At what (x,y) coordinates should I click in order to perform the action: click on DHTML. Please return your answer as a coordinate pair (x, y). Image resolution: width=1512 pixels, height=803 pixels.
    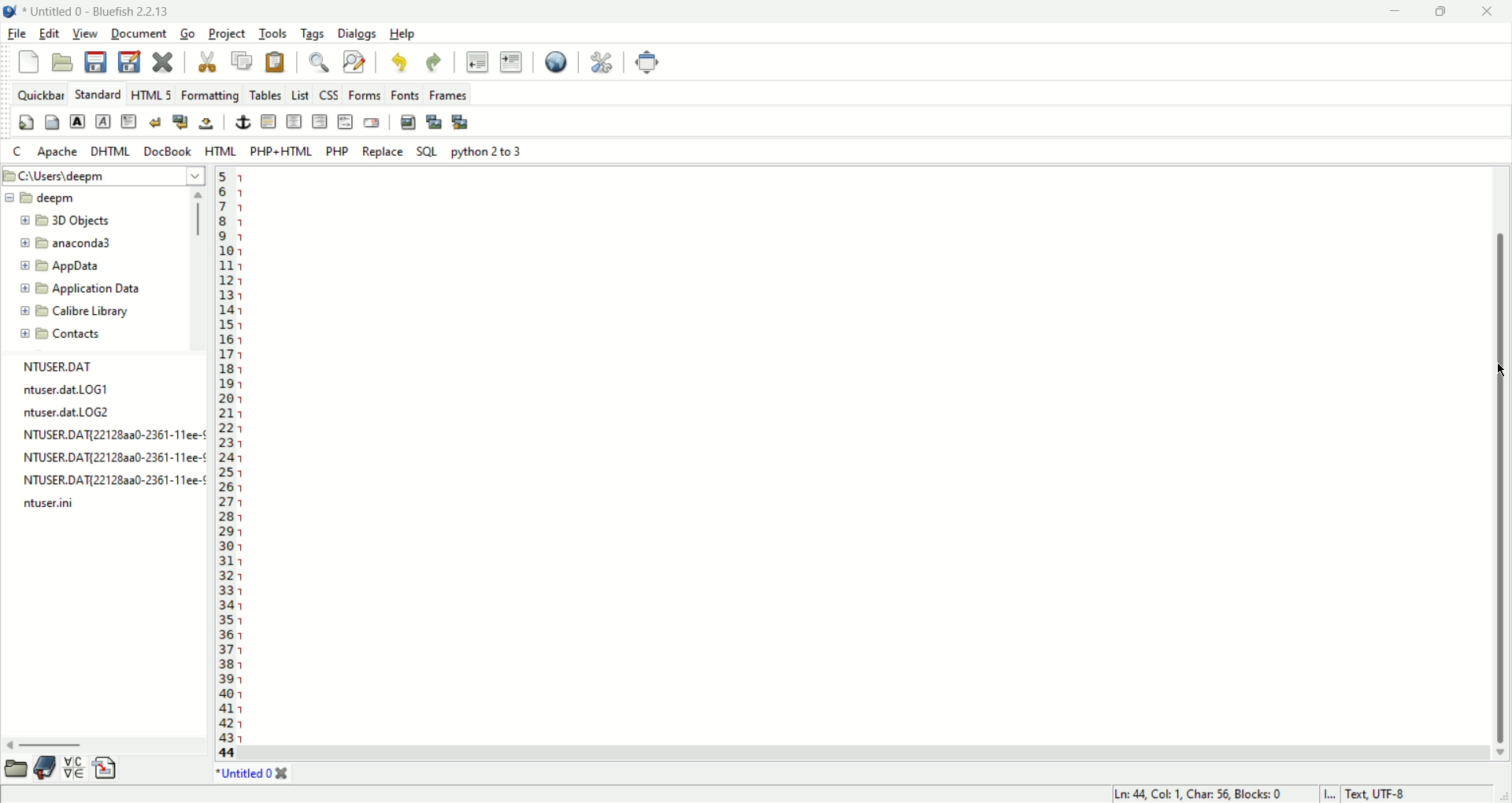
    Looking at the image, I should click on (109, 150).